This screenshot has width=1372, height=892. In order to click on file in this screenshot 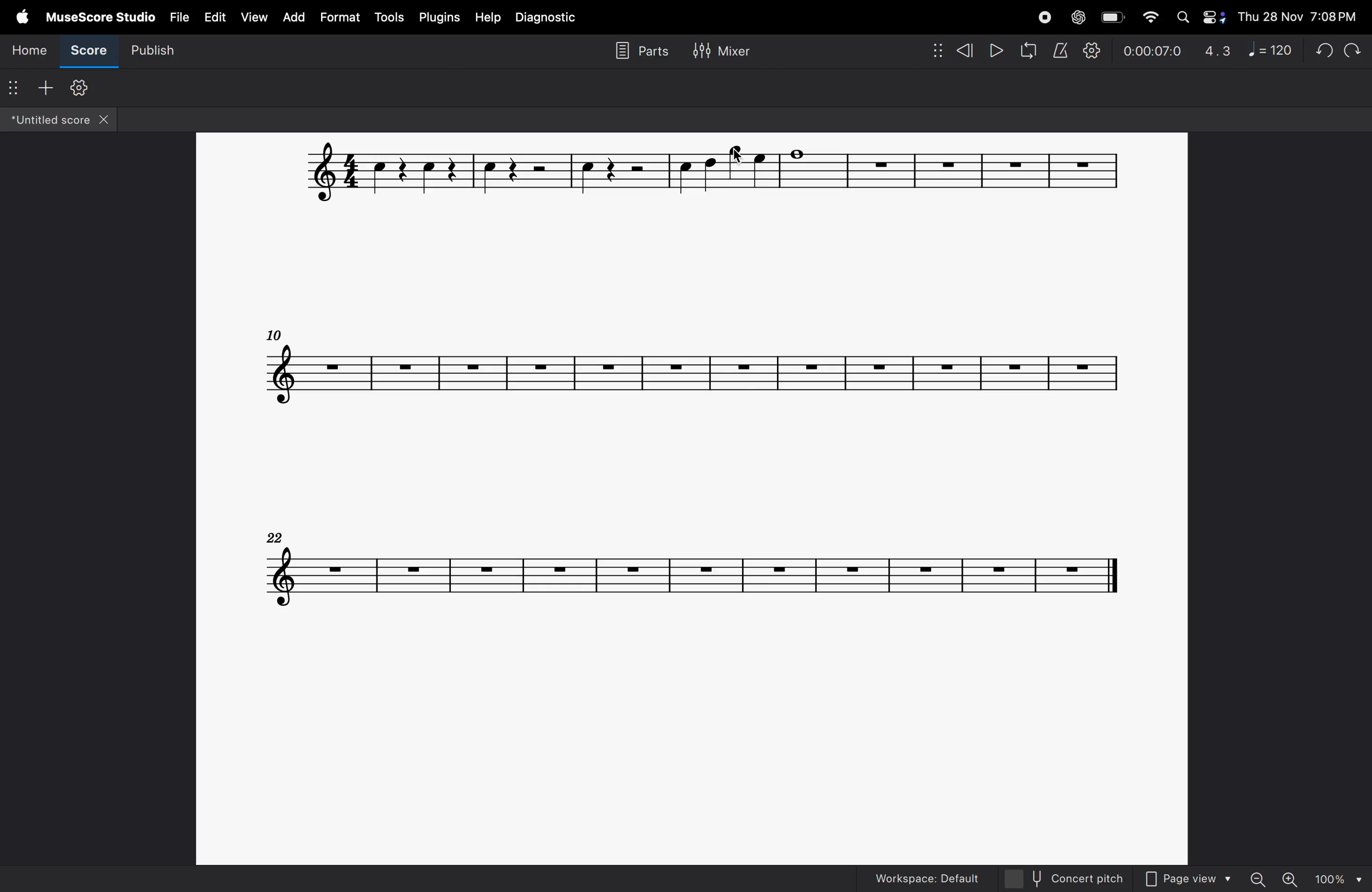, I will do `click(179, 19)`.